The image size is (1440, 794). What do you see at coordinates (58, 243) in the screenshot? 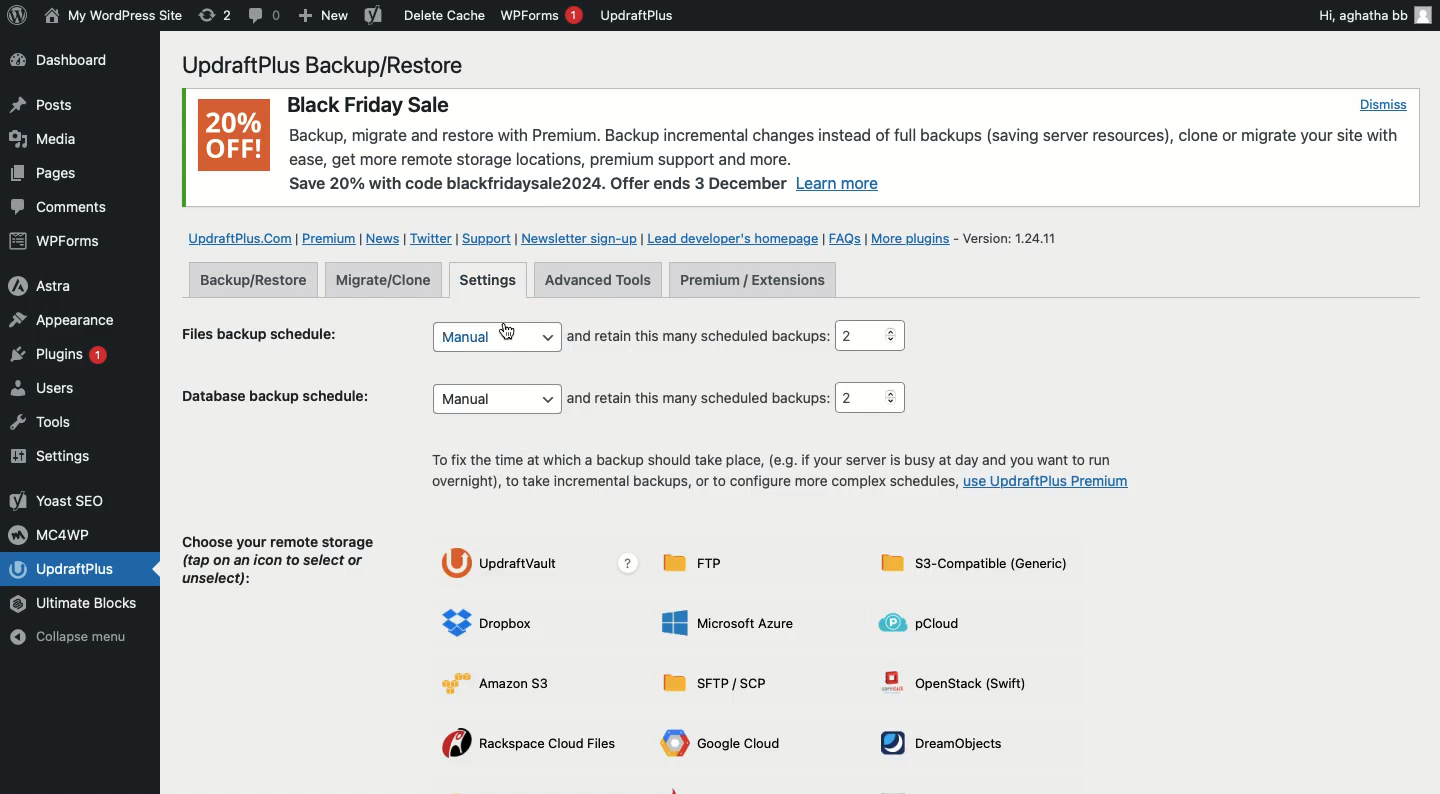
I see `WPForms` at bounding box center [58, 243].